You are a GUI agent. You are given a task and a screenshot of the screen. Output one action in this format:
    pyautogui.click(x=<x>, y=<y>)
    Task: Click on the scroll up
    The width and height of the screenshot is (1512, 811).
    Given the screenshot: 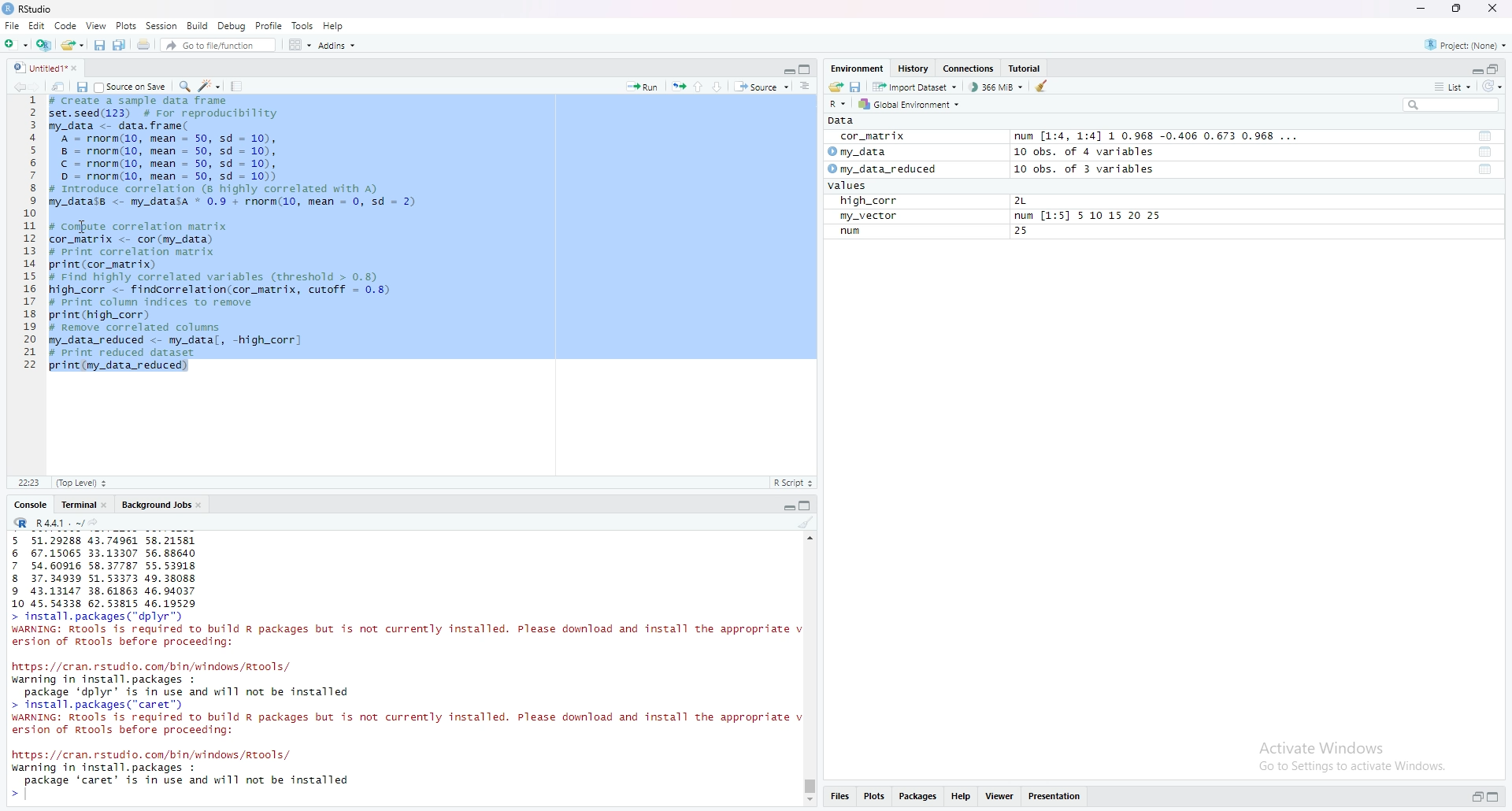 What is the action you would take?
    pyautogui.click(x=810, y=537)
    